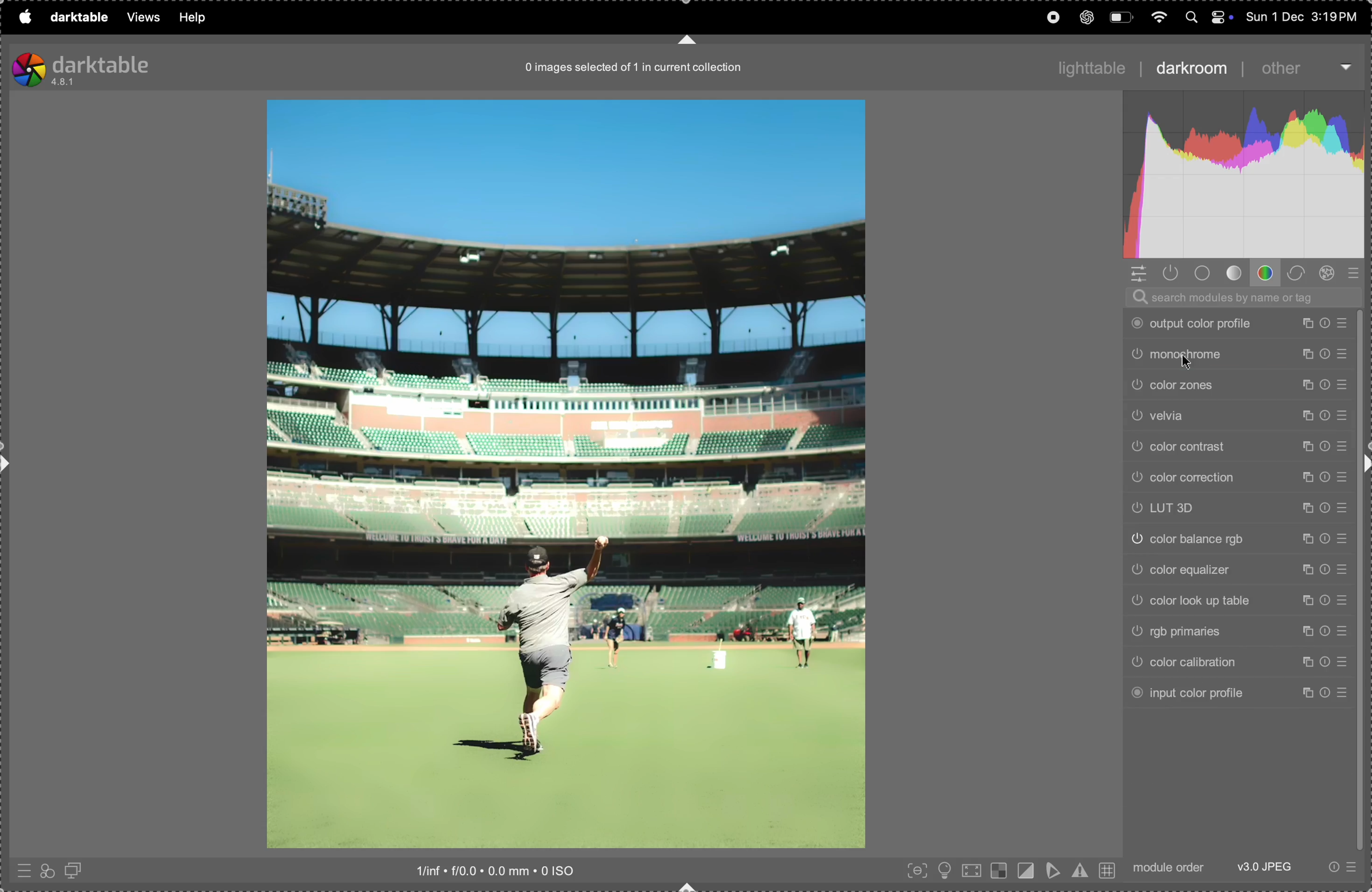 This screenshot has height=892, width=1372. I want to click on effect, so click(1328, 273).